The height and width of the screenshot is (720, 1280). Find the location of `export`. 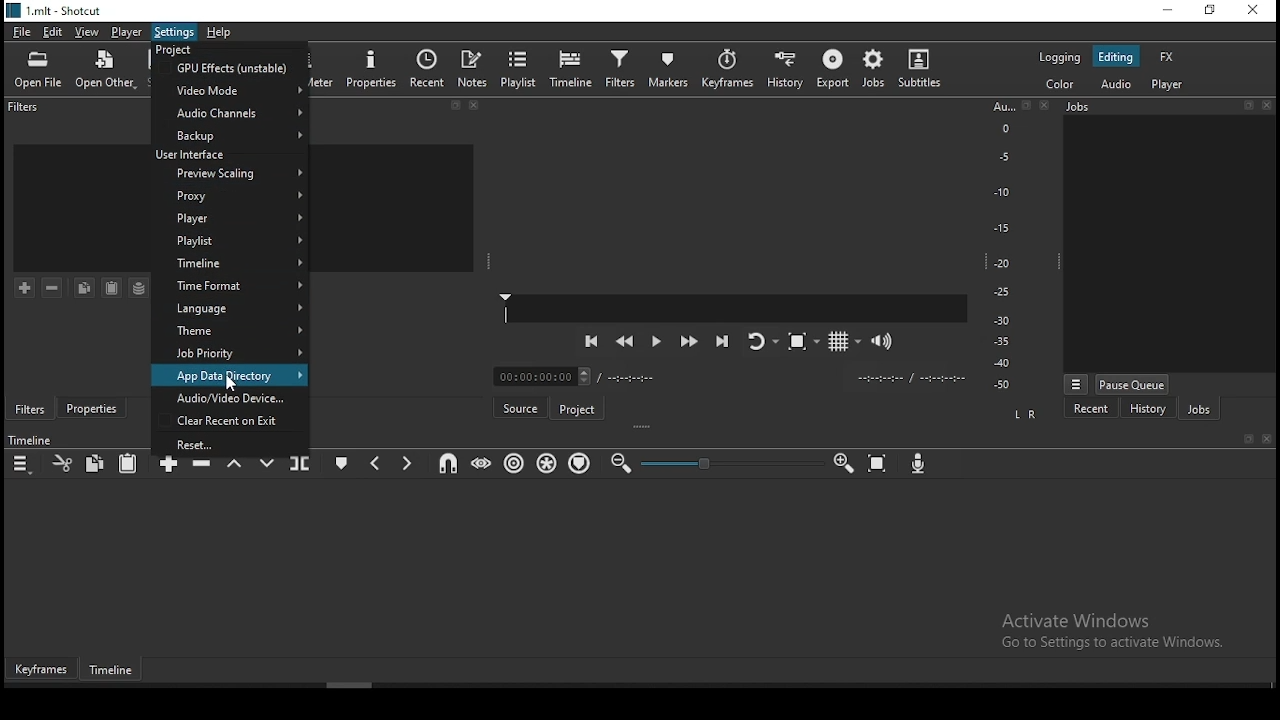

export is located at coordinates (831, 72).